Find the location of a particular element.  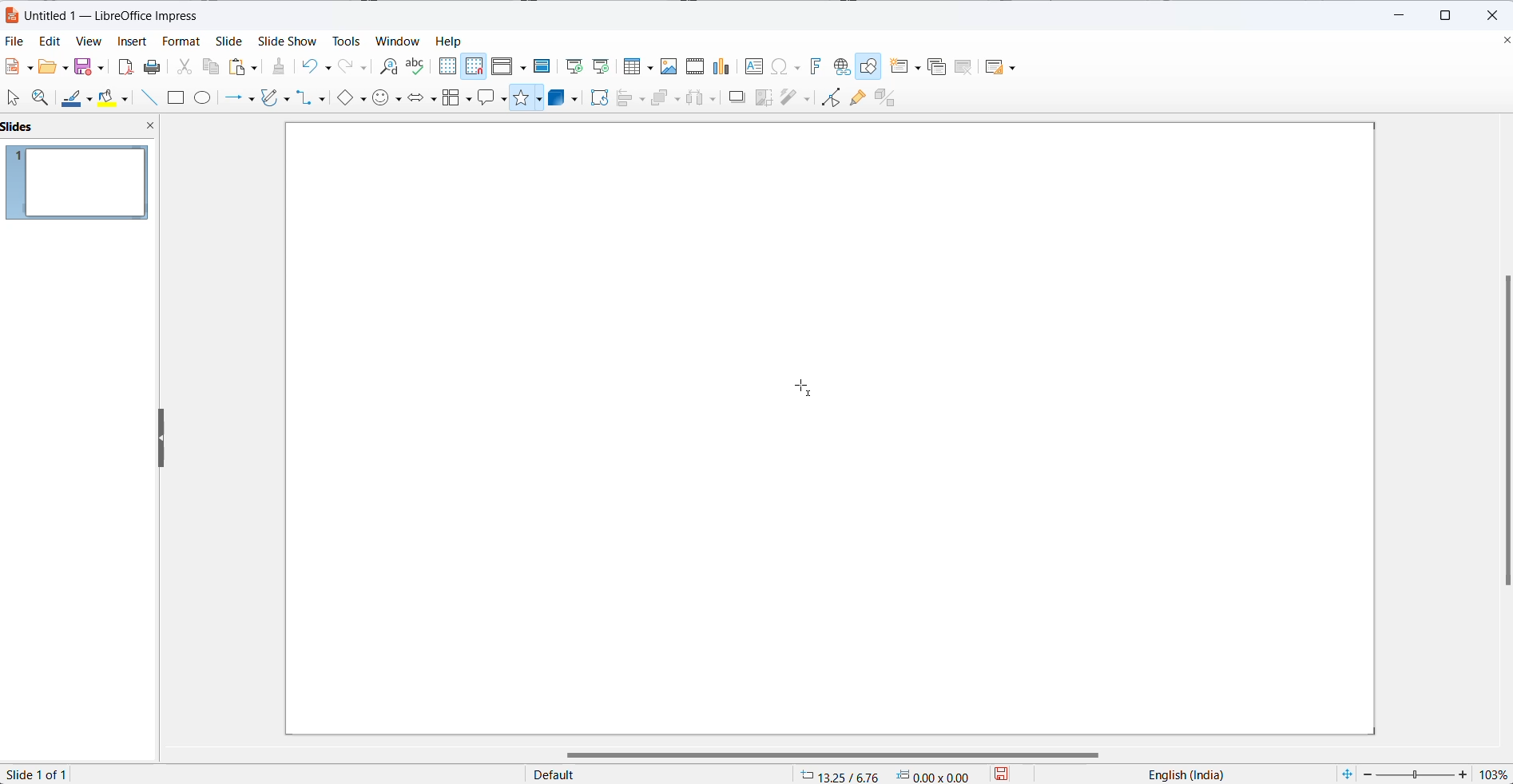

scrollbar is located at coordinates (824, 750).